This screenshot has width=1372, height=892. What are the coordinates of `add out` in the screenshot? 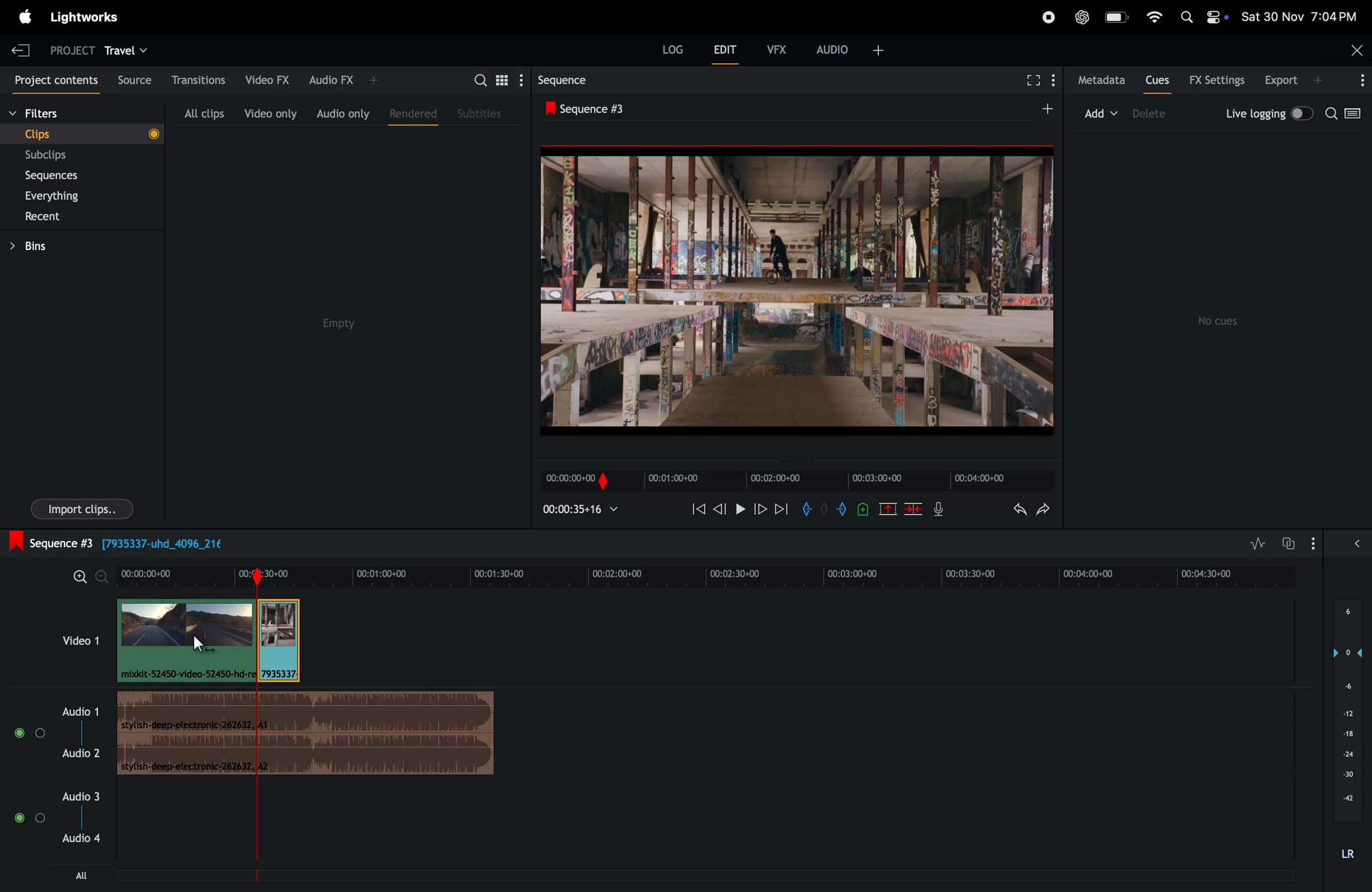 It's located at (843, 511).